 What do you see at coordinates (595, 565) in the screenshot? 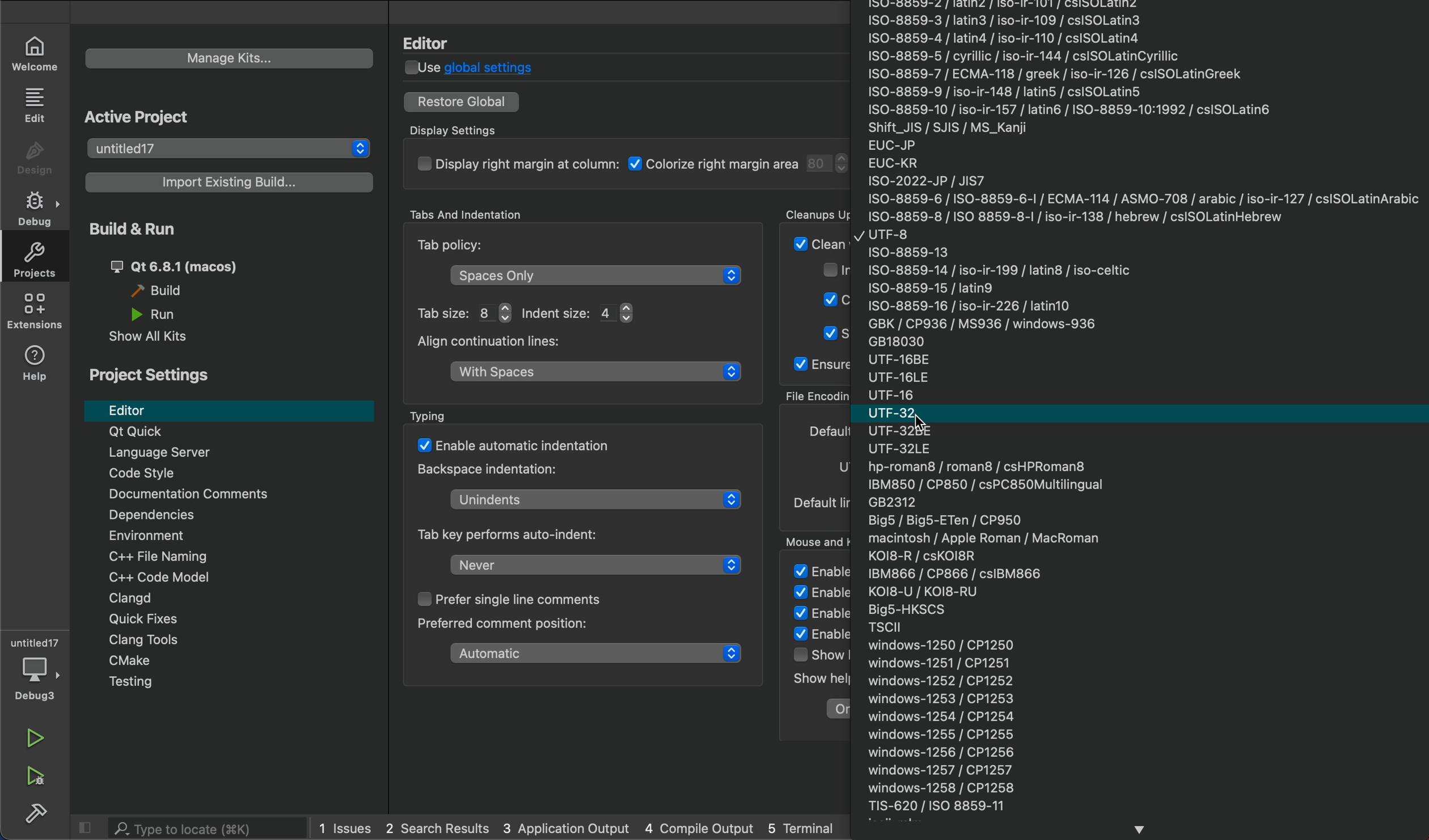
I see `tab key auto indent` at bounding box center [595, 565].